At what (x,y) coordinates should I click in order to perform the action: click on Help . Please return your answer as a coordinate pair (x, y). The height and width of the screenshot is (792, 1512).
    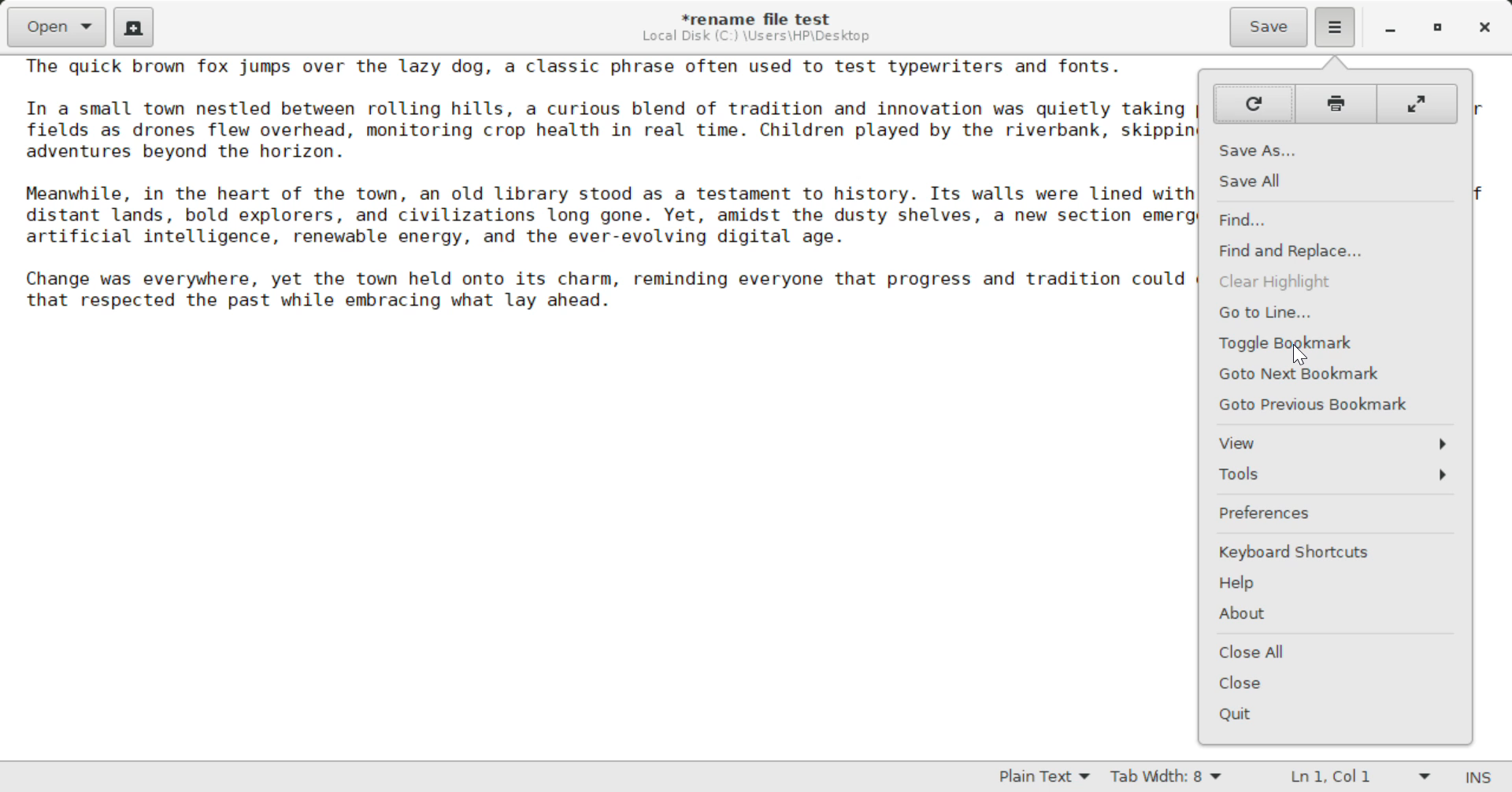
    Looking at the image, I should click on (1332, 582).